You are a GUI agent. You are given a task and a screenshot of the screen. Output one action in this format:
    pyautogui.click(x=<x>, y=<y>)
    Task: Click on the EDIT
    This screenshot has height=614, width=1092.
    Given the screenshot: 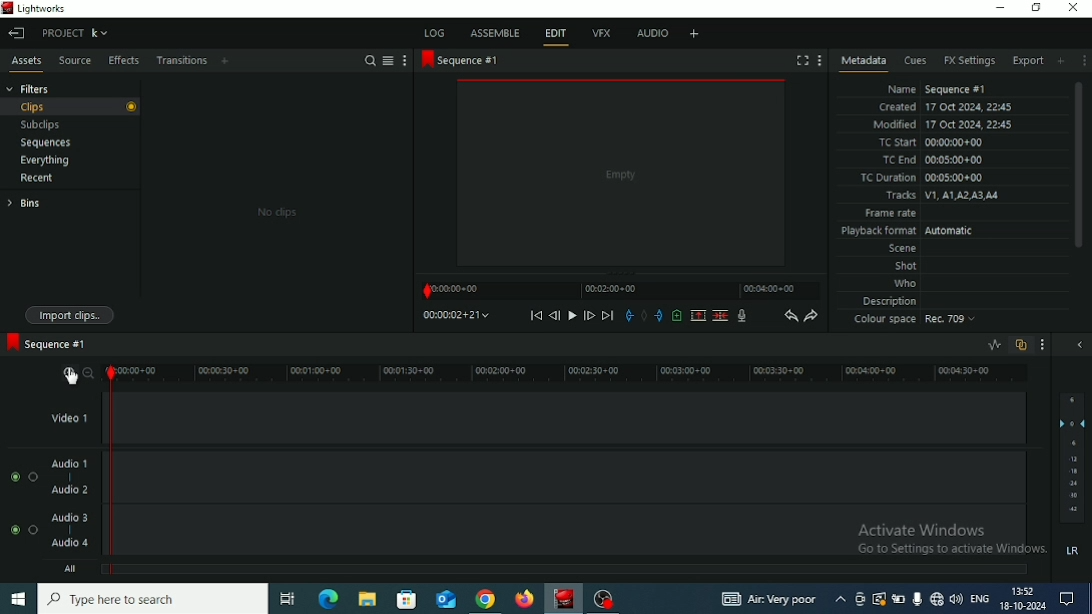 What is the action you would take?
    pyautogui.click(x=558, y=34)
    